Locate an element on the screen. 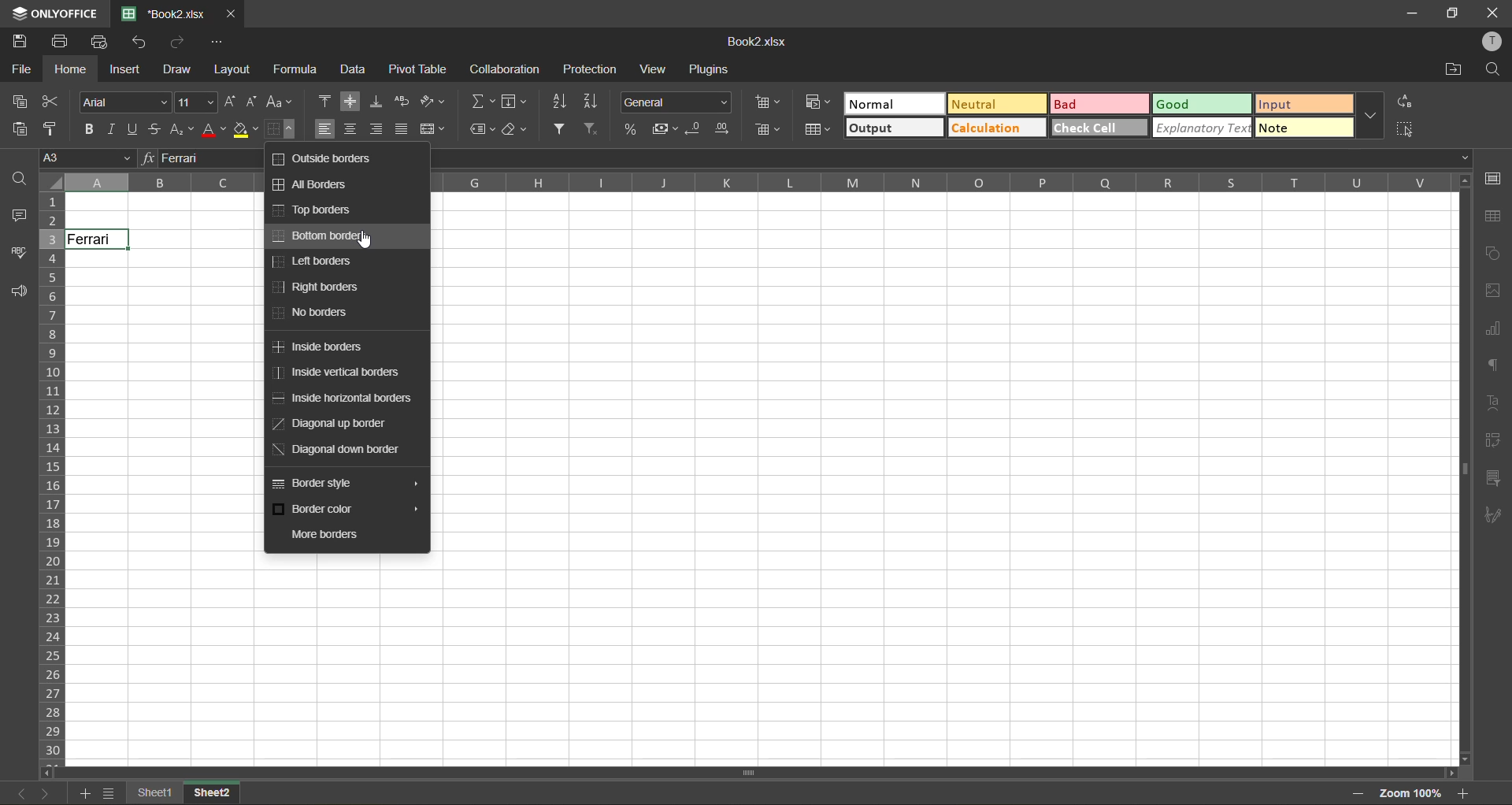 The image size is (1512, 805). view is located at coordinates (657, 69).